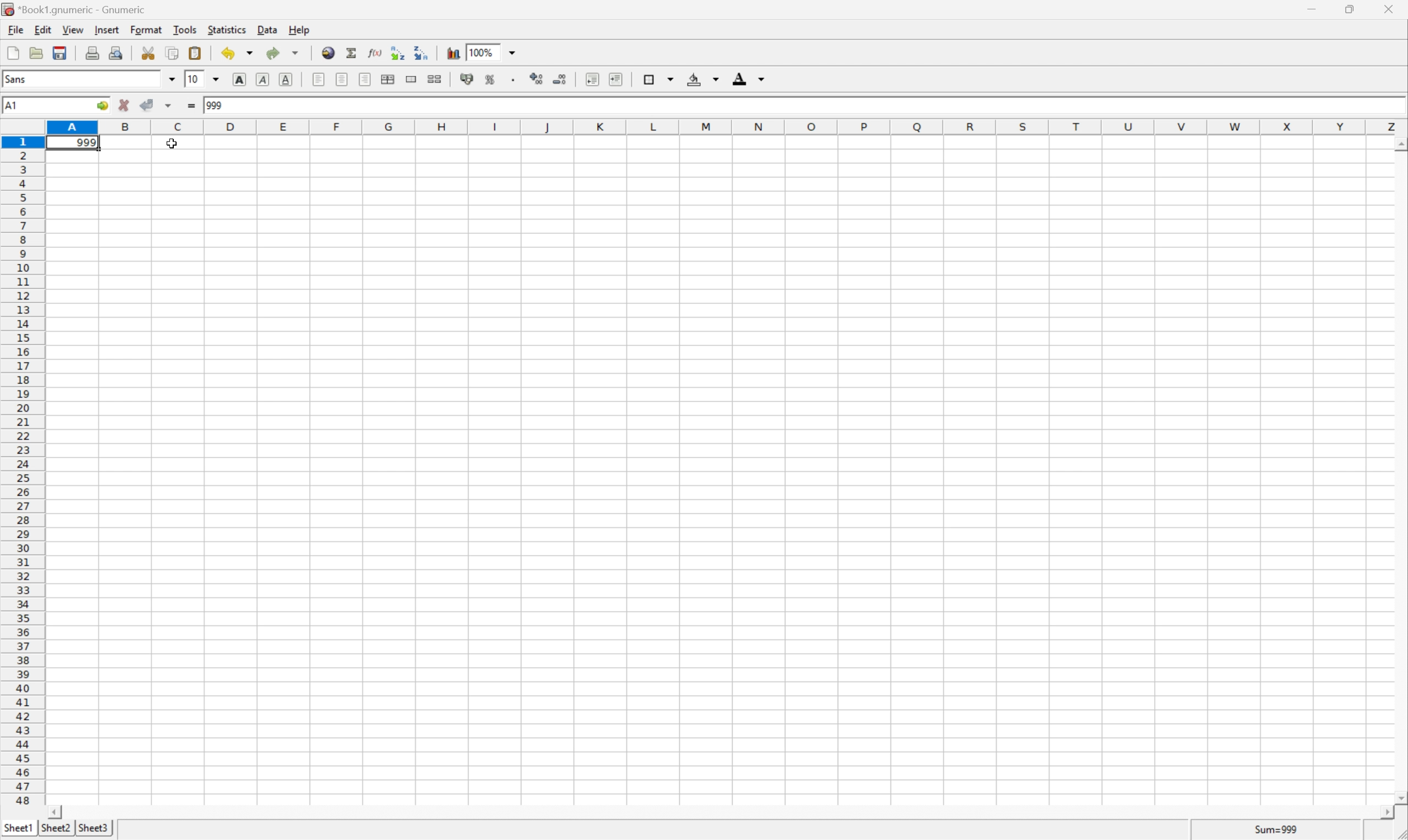  What do you see at coordinates (57, 813) in the screenshot?
I see `scroll left` at bounding box center [57, 813].